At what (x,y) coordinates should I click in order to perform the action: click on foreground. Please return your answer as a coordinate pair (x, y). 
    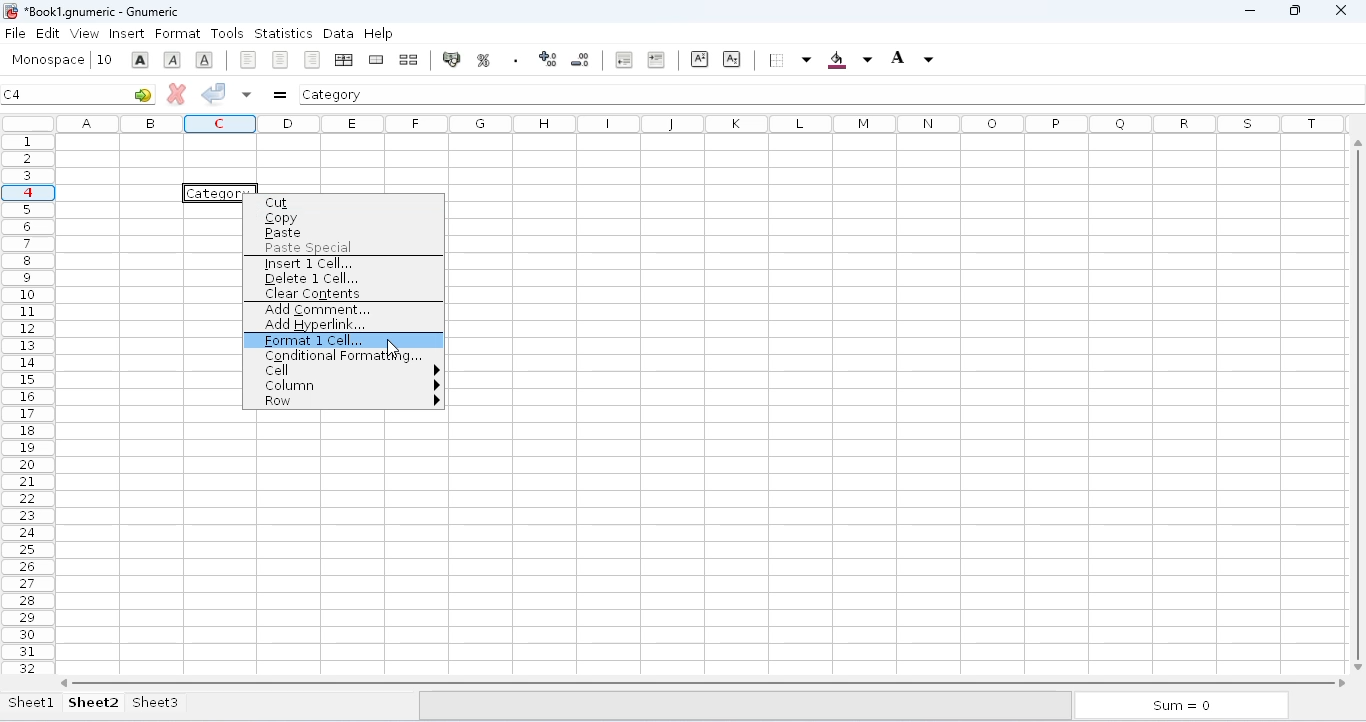
    Looking at the image, I should click on (912, 58).